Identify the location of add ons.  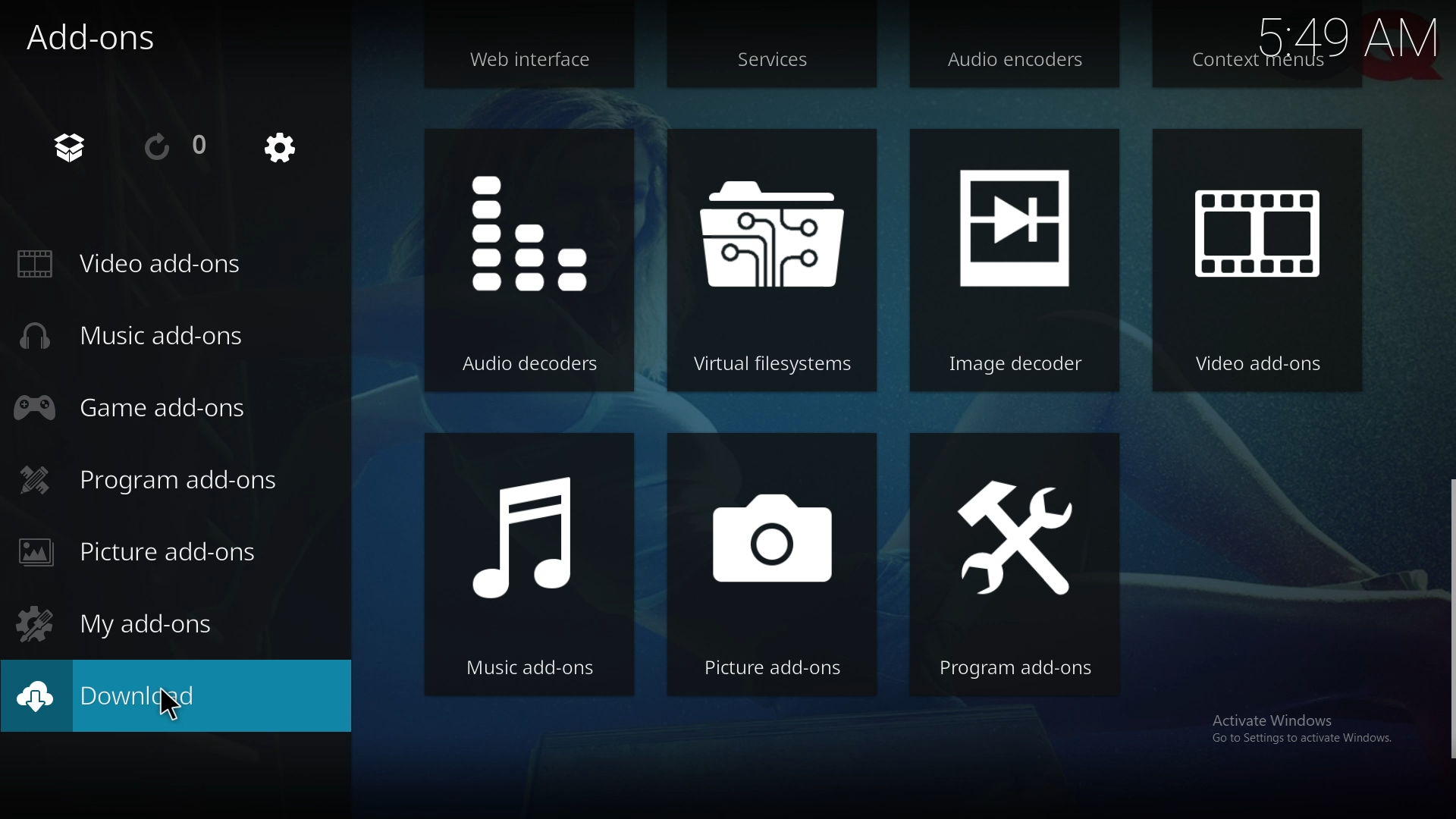
(105, 37).